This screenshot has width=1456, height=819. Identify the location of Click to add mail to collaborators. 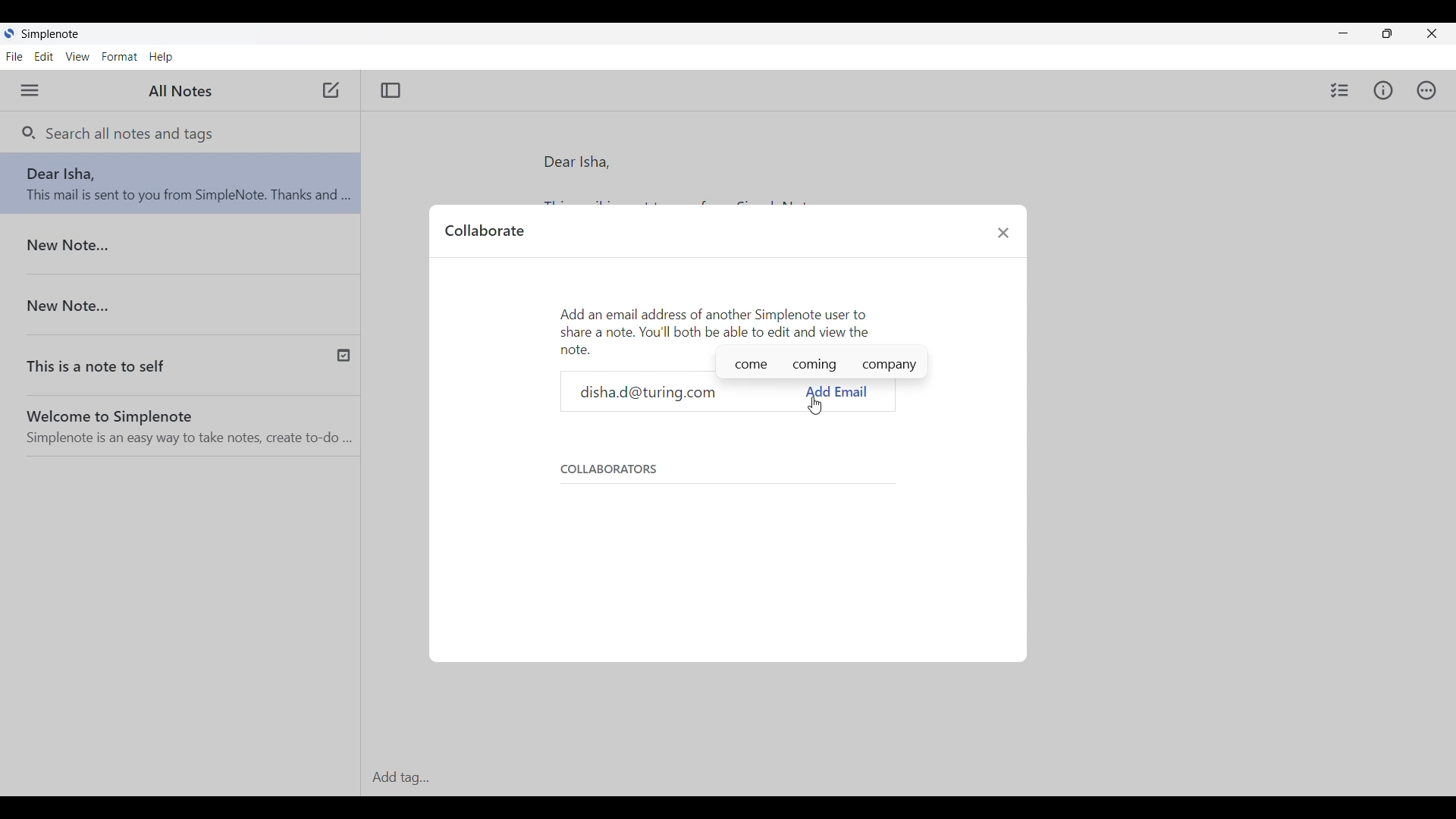
(838, 392).